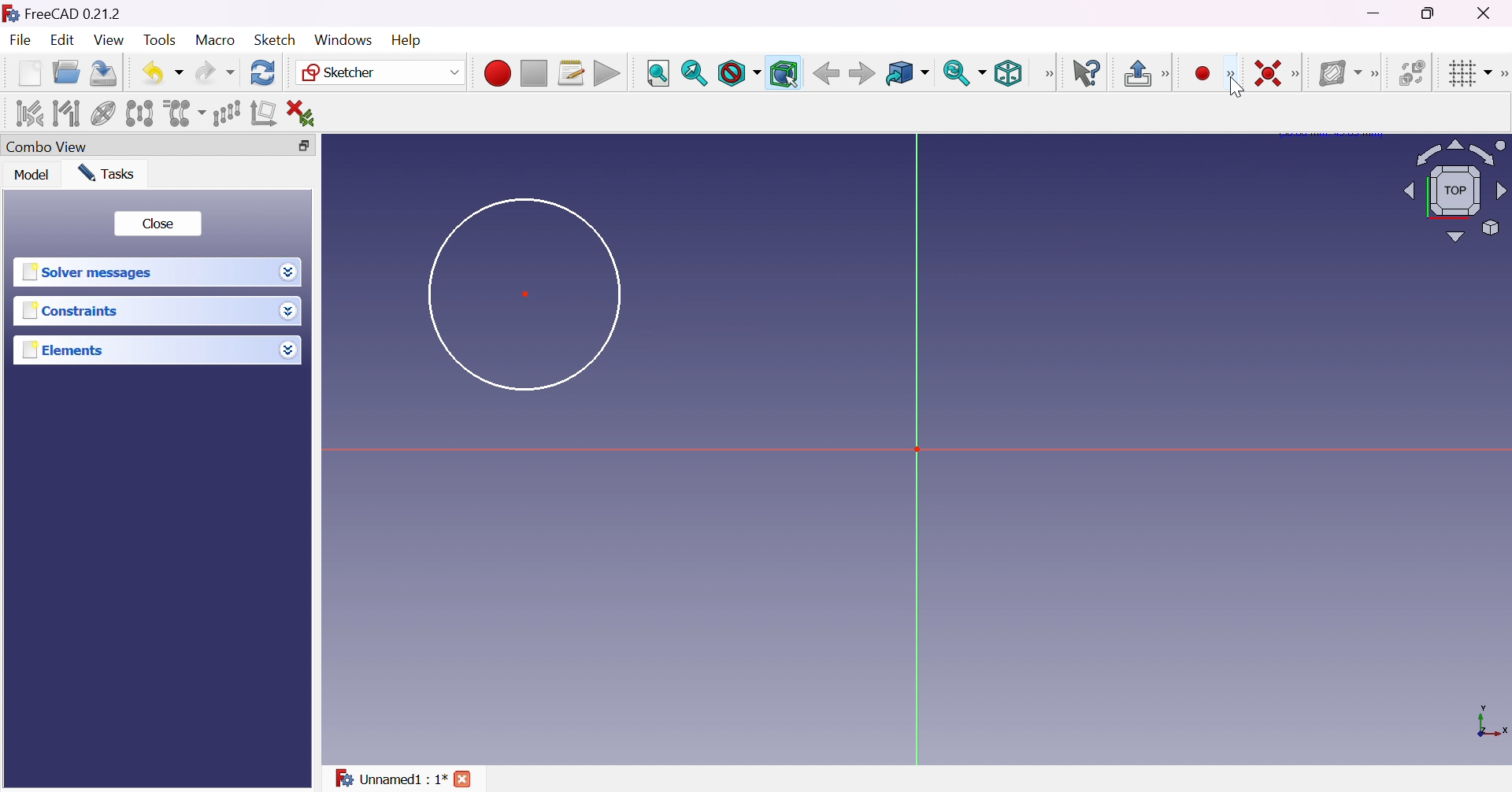 This screenshot has height=792, width=1512. I want to click on Isometric, so click(1007, 75).